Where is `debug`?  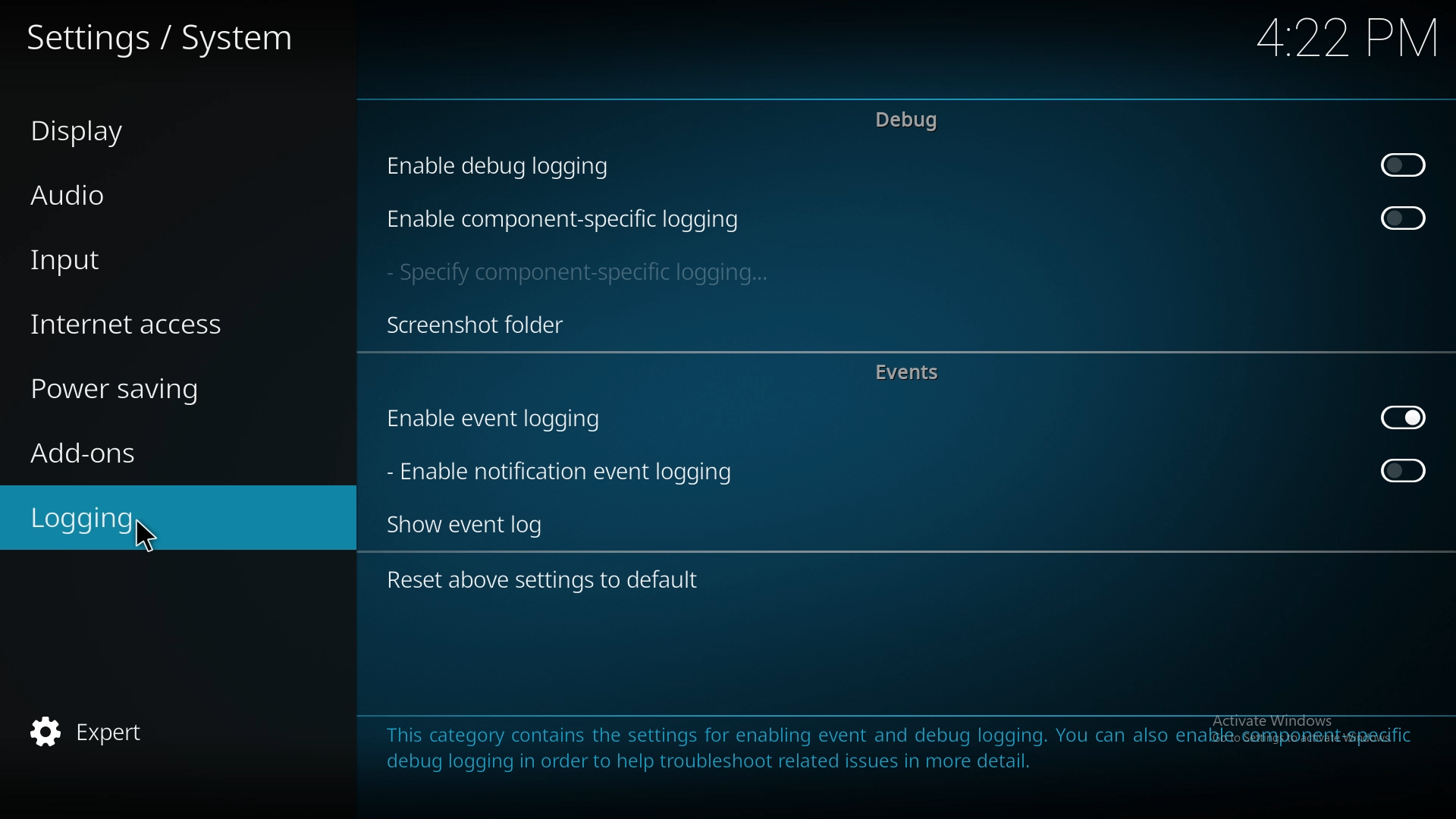 debug is located at coordinates (907, 121).